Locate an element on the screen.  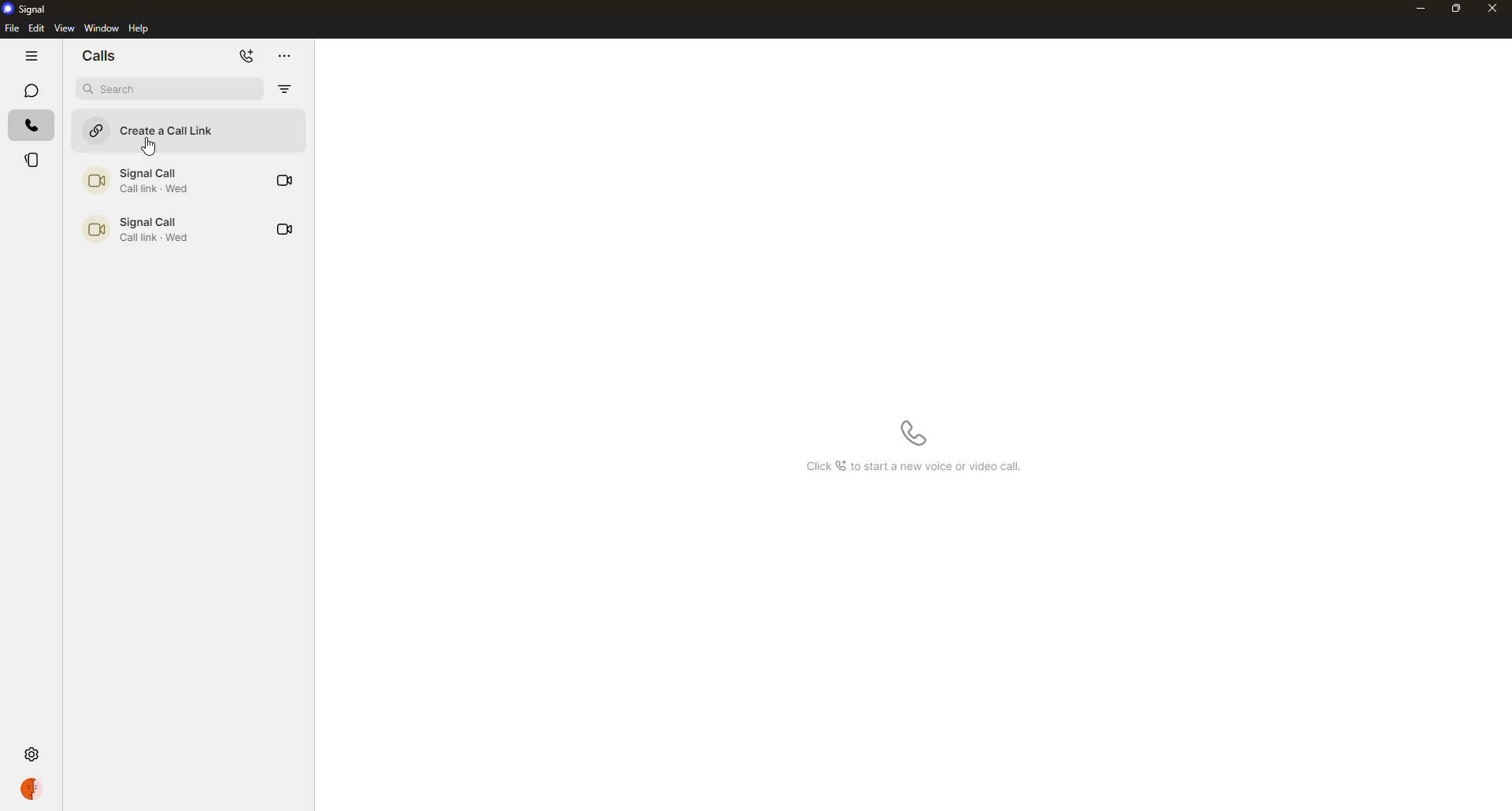
search is located at coordinates (167, 89).